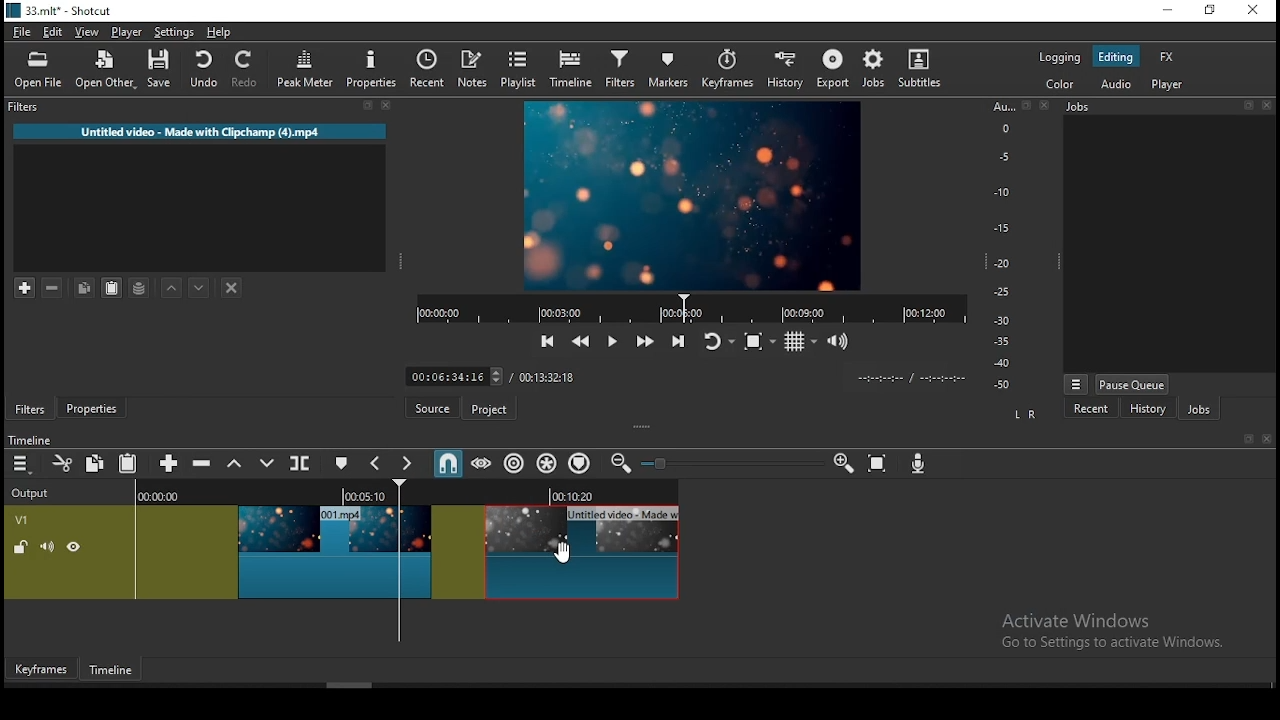 The height and width of the screenshot is (720, 1280). What do you see at coordinates (835, 68) in the screenshot?
I see `export` at bounding box center [835, 68].